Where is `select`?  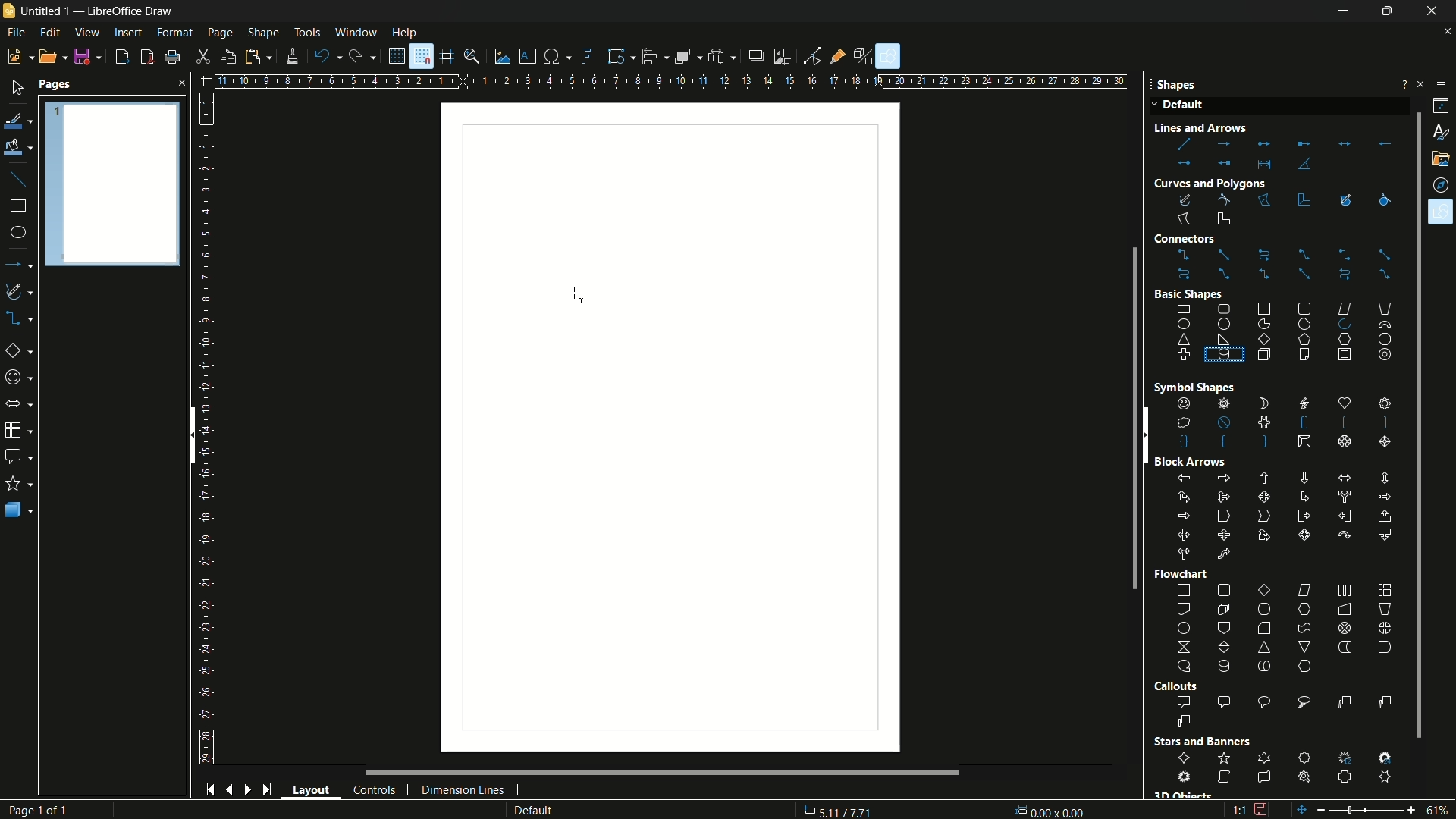 select is located at coordinates (17, 87).